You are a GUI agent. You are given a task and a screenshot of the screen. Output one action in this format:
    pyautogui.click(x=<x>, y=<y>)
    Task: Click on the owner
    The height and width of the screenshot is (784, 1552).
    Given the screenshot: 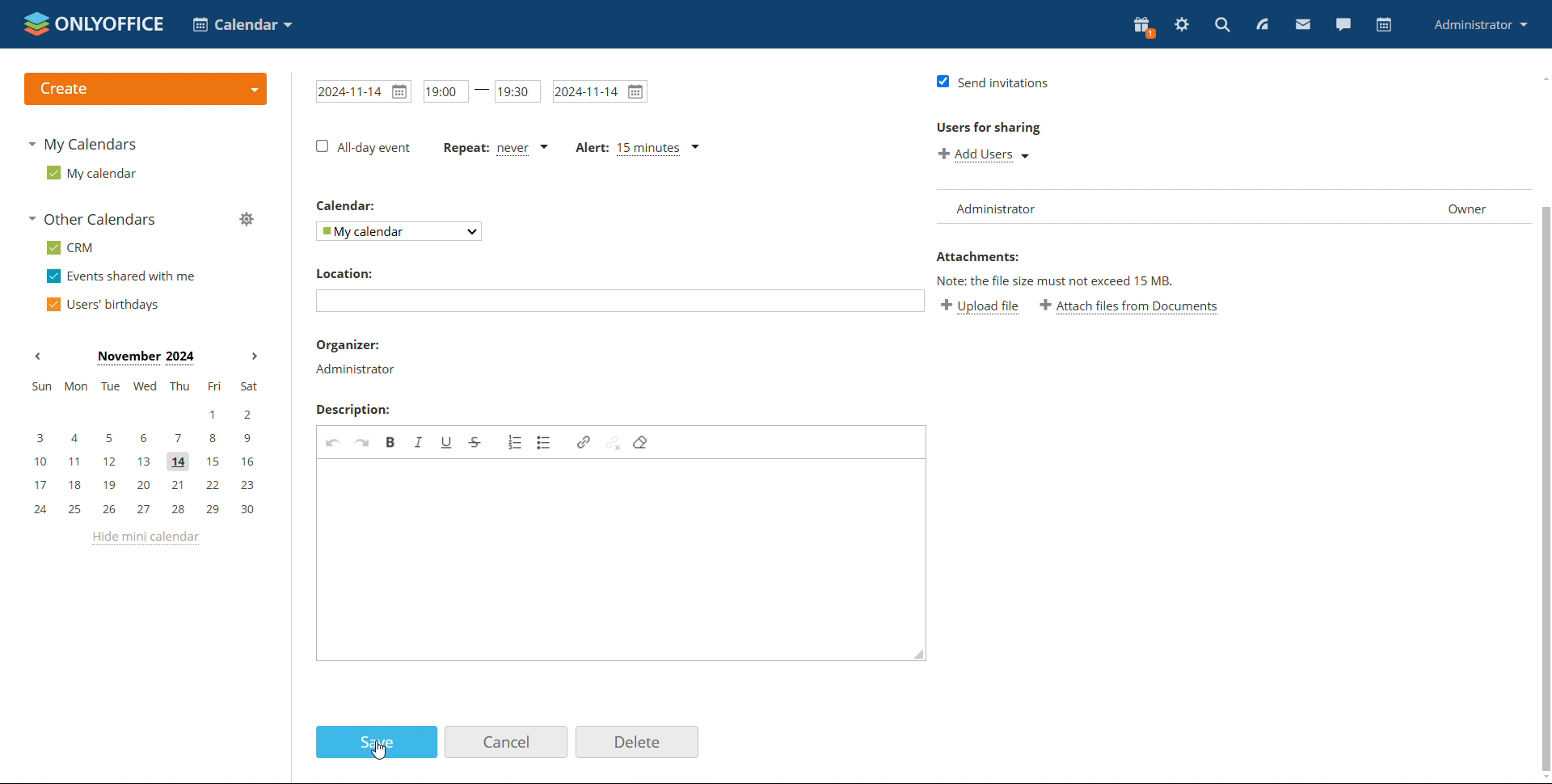 What is the action you would take?
    pyautogui.click(x=1472, y=206)
    